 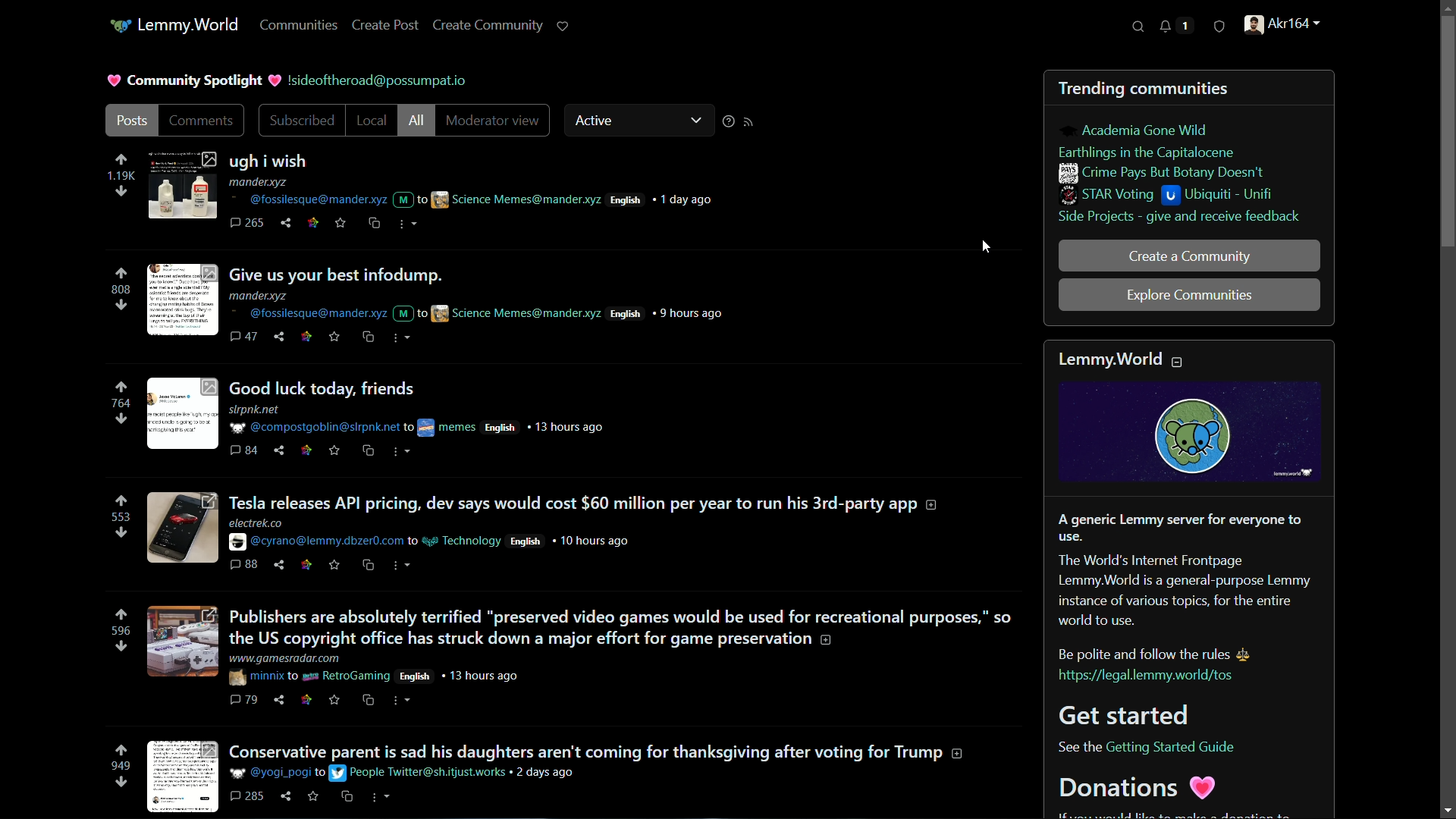 I want to click on more actions, so click(x=381, y=797).